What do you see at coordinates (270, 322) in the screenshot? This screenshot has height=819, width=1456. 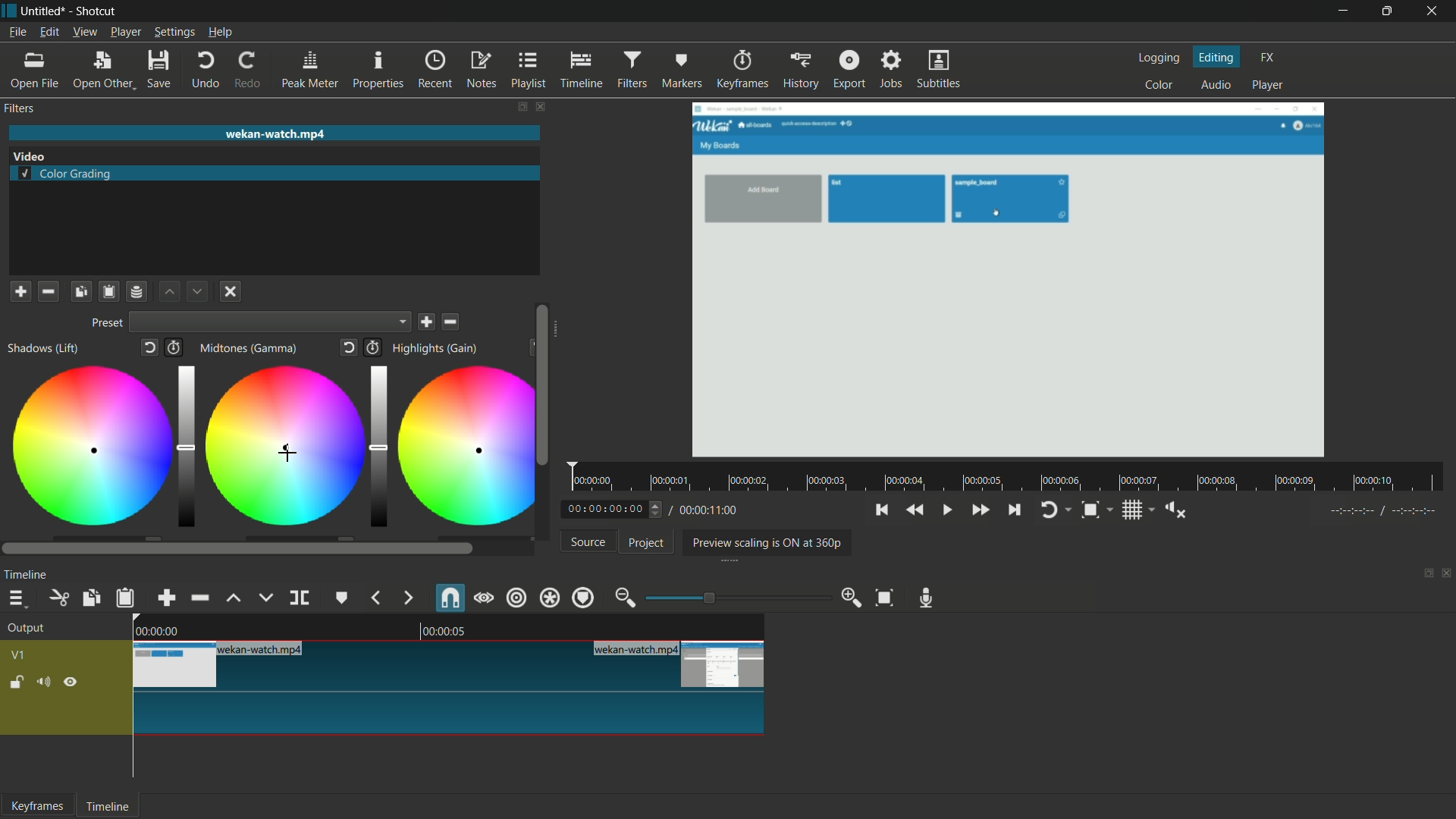 I see `dropdown` at bounding box center [270, 322].